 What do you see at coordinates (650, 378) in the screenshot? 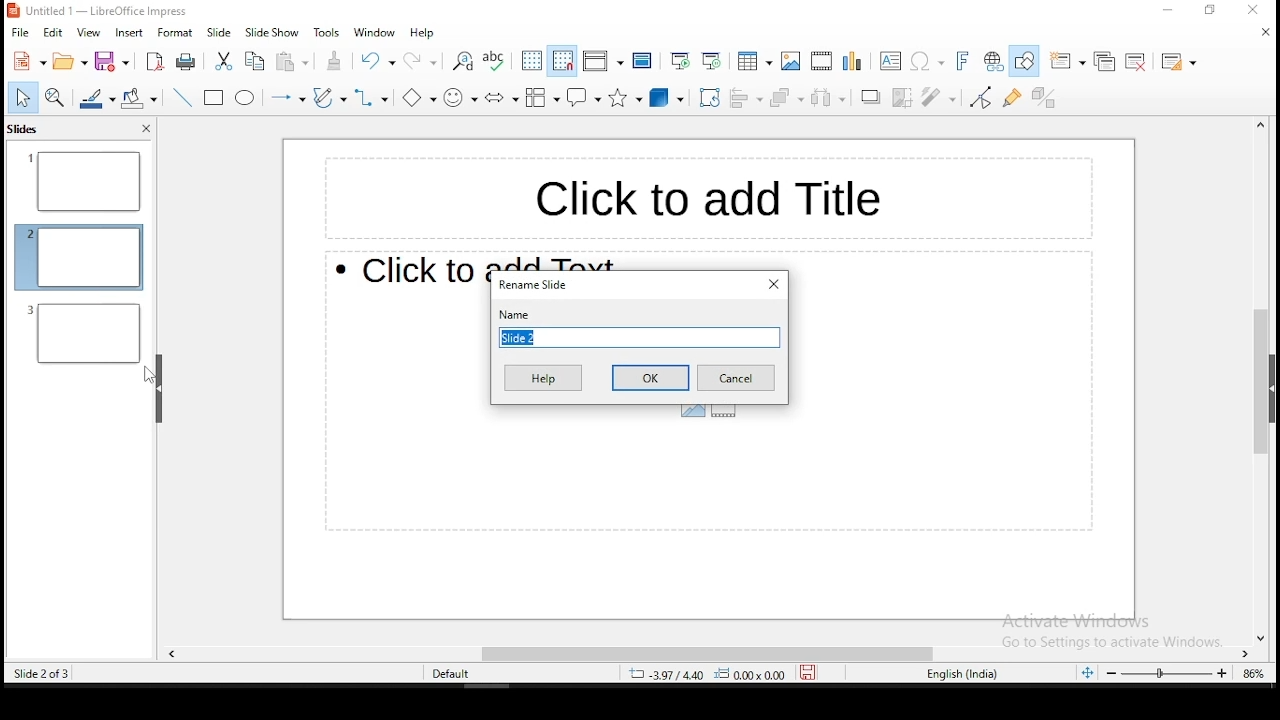
I see `ok` at bounding box center [650, 378].